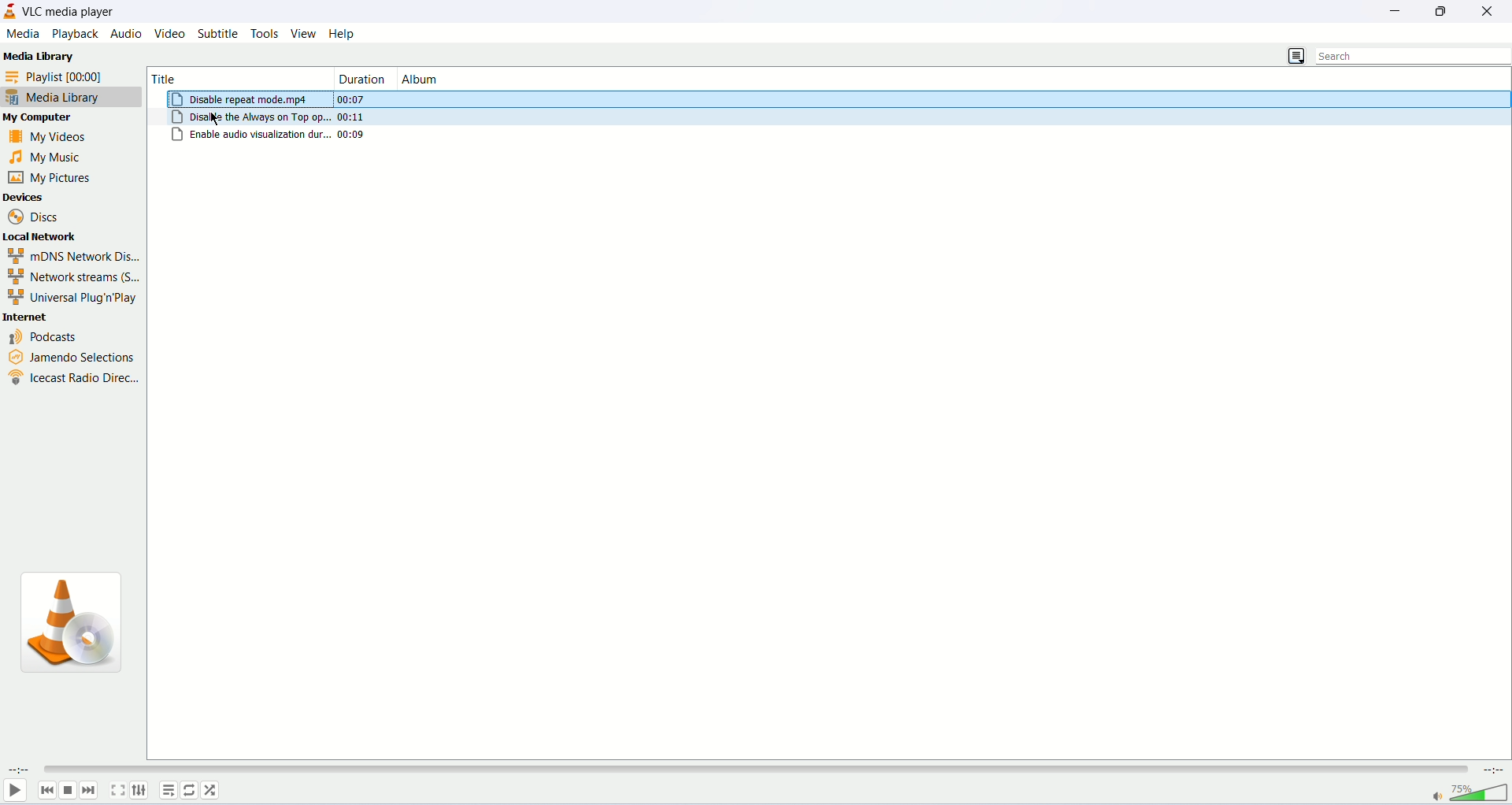 The width and height of the screenshot is (1512, 805). I want to click on Universal Plug n Play, so click(69, 298).